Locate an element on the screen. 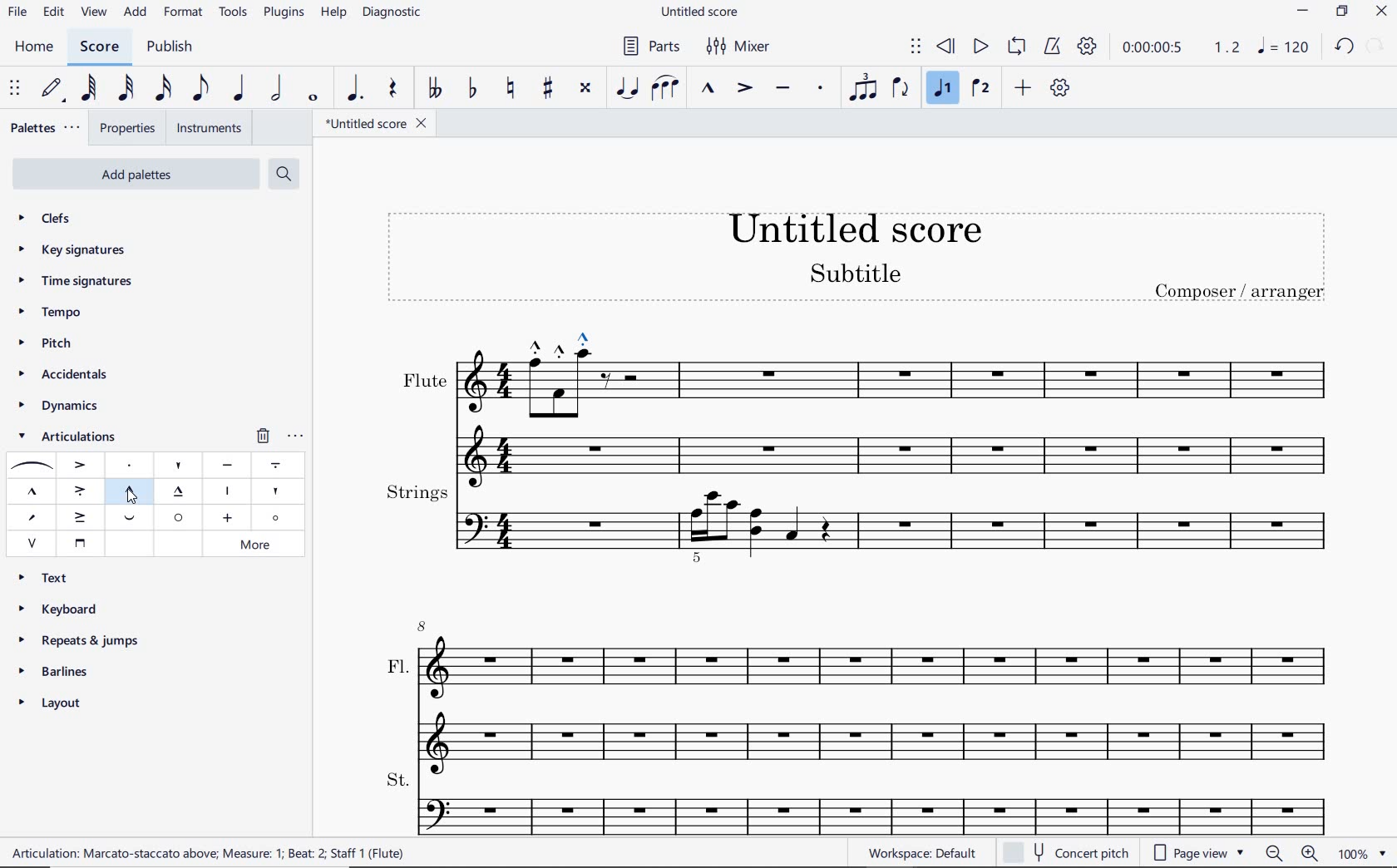 Image resolution: width=1397 pixels, height=868 pixels. PLAY TIME is located at coordinates (1179, 47).